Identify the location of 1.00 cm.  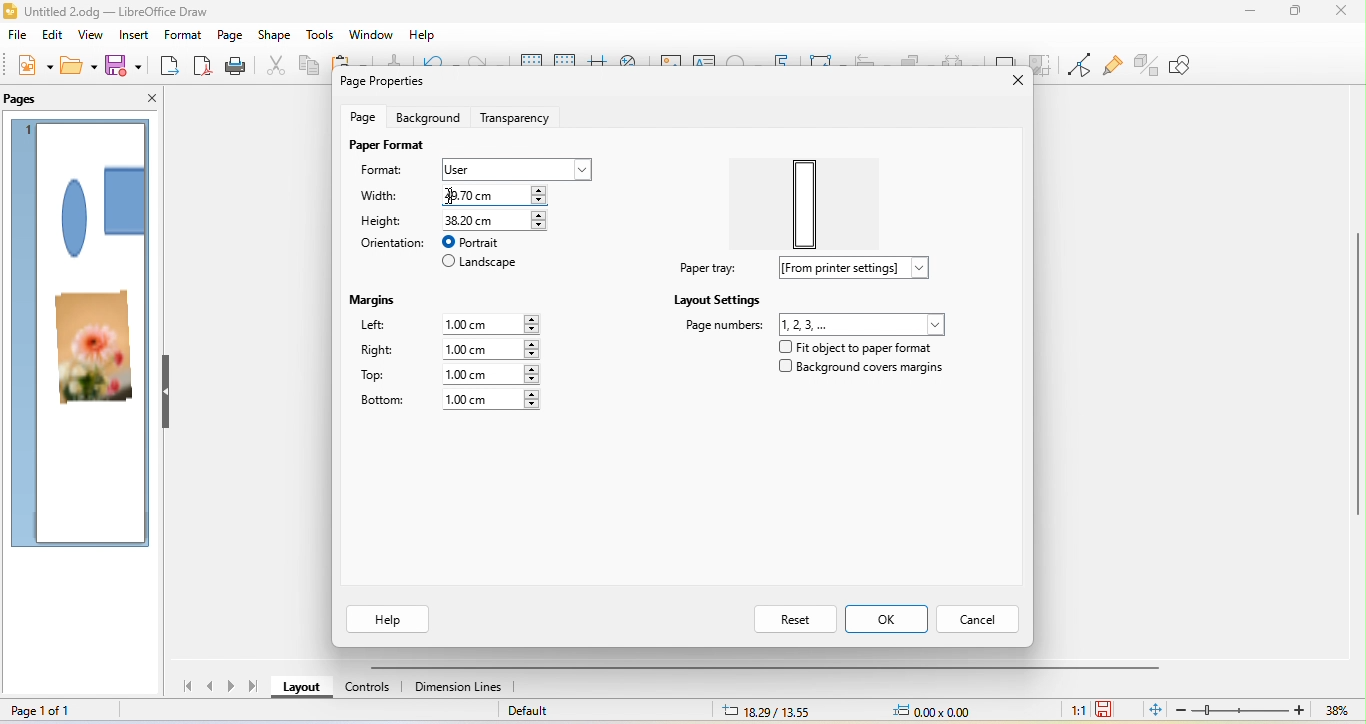
(496, 402).